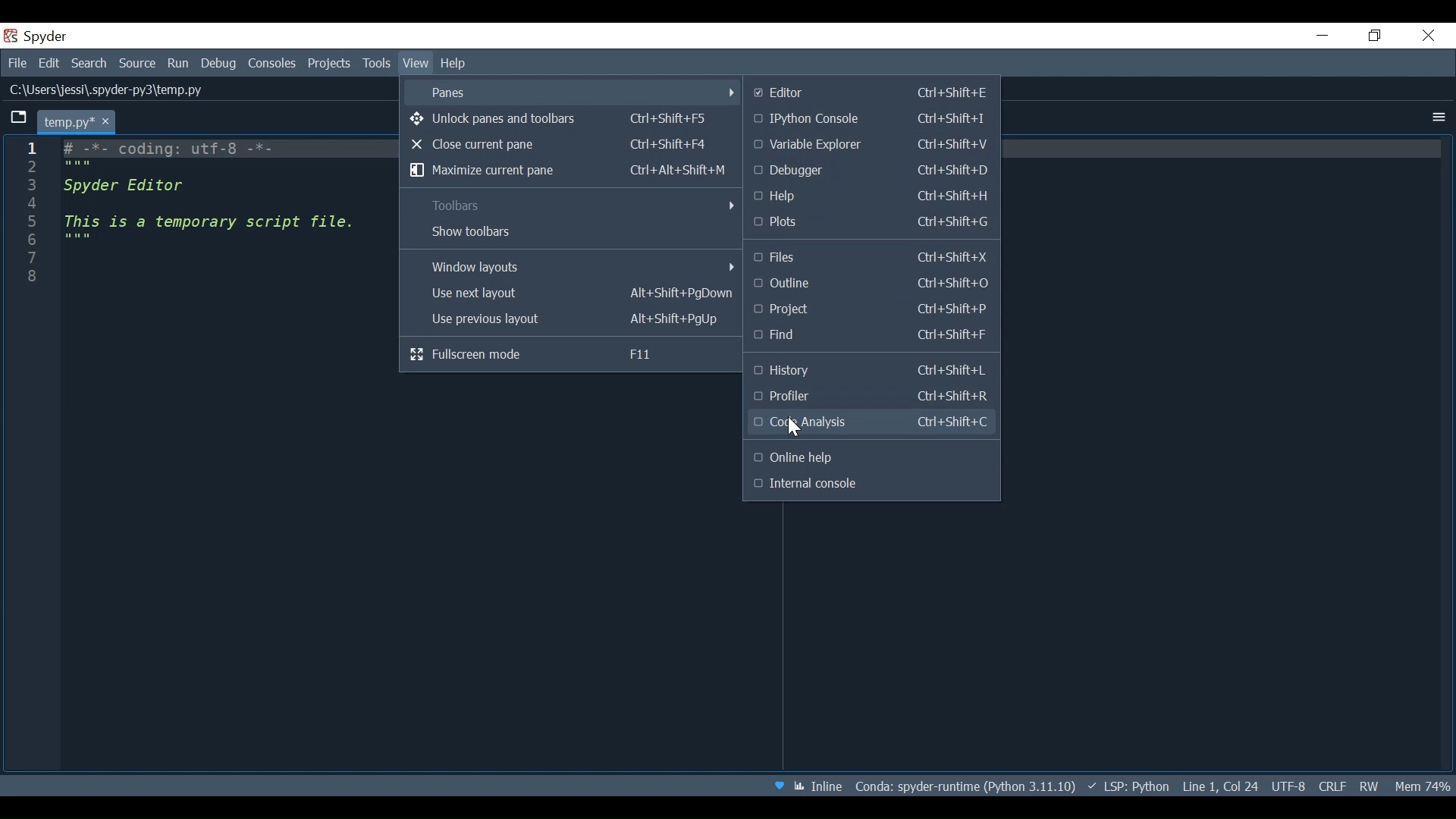  I want to click on History, so click(872, 372).